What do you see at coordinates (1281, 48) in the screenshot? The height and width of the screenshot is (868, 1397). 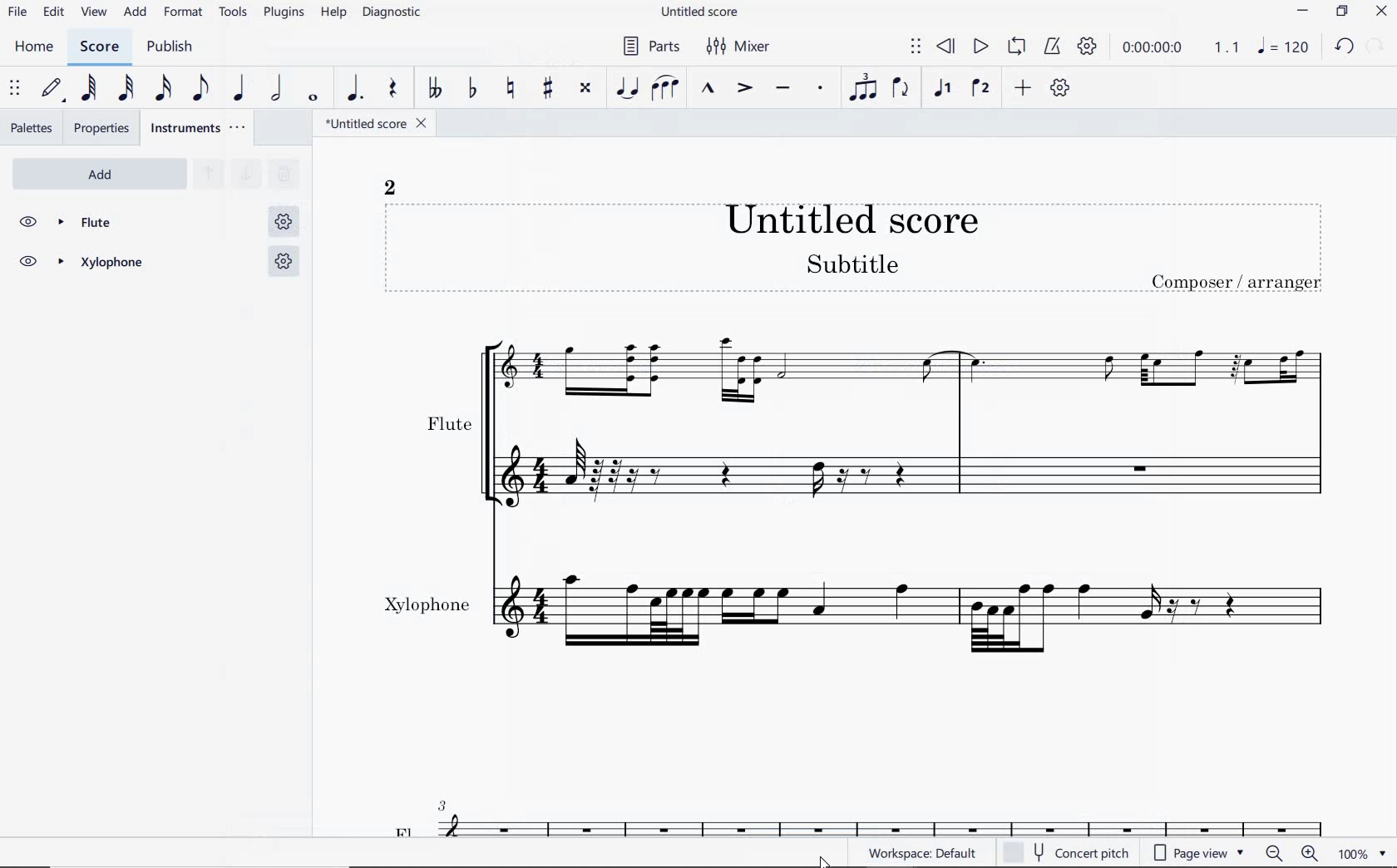 I see `NOTE` at bounding box center [1281, 48].